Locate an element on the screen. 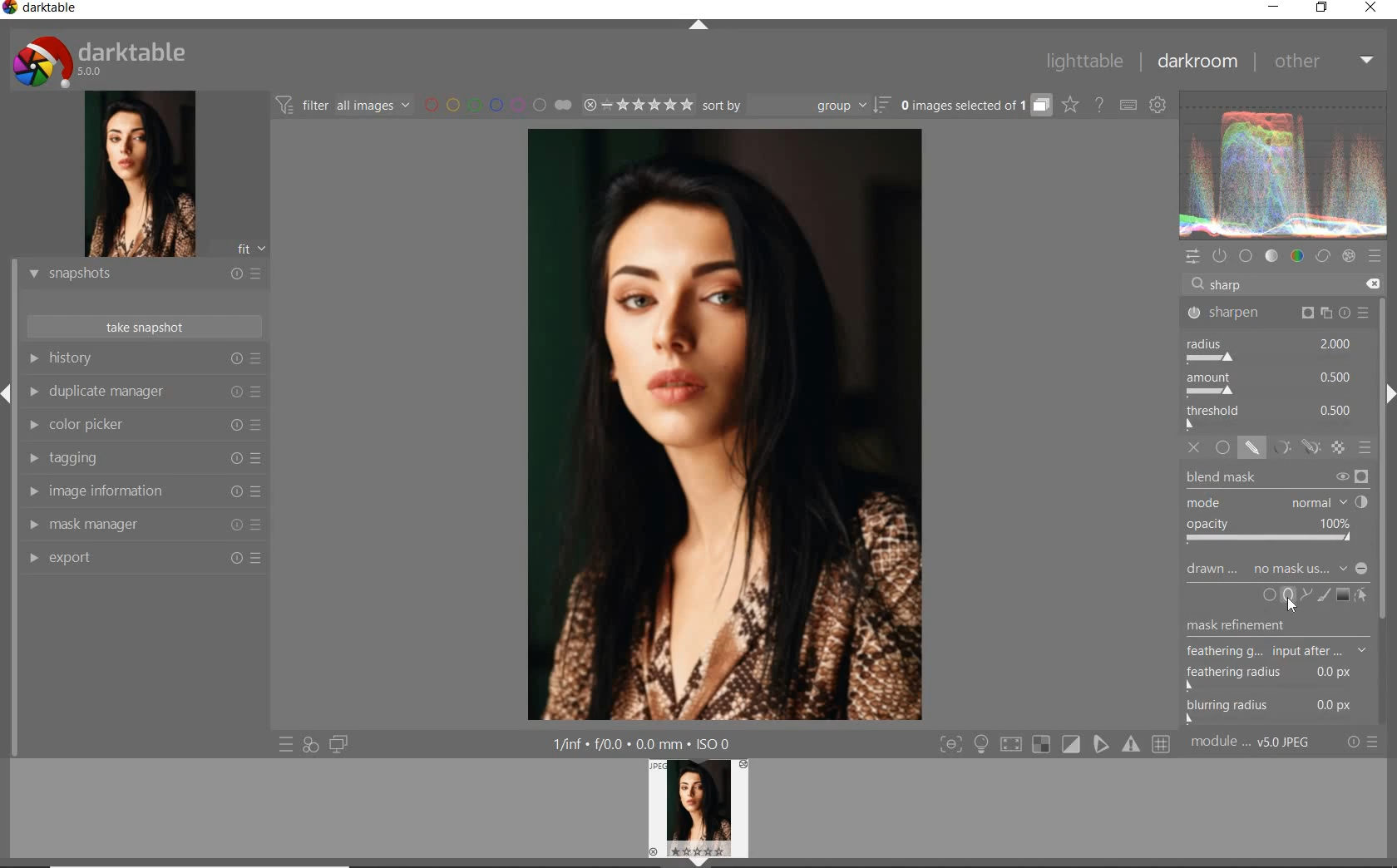  image information is located at coordinates (143, 491).